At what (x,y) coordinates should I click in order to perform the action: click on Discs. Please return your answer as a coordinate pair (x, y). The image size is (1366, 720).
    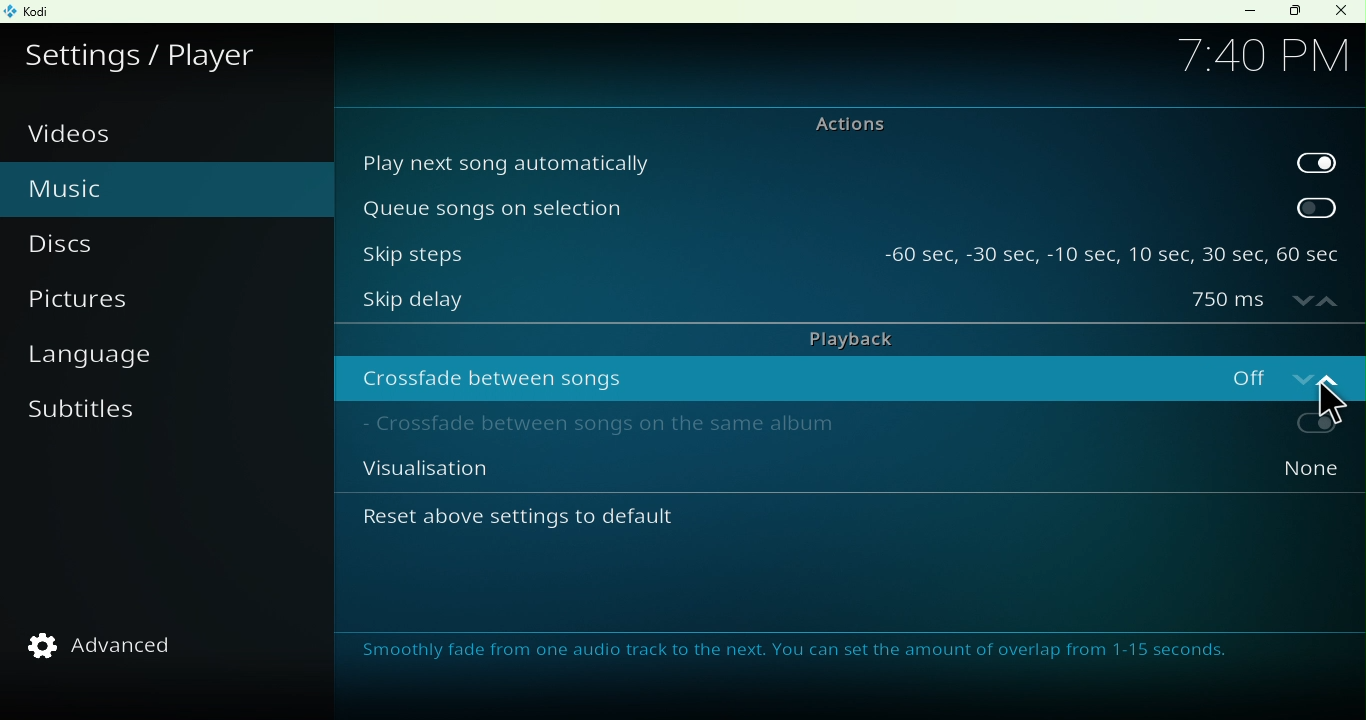
    Looking at the image, I should click on (91, 245).